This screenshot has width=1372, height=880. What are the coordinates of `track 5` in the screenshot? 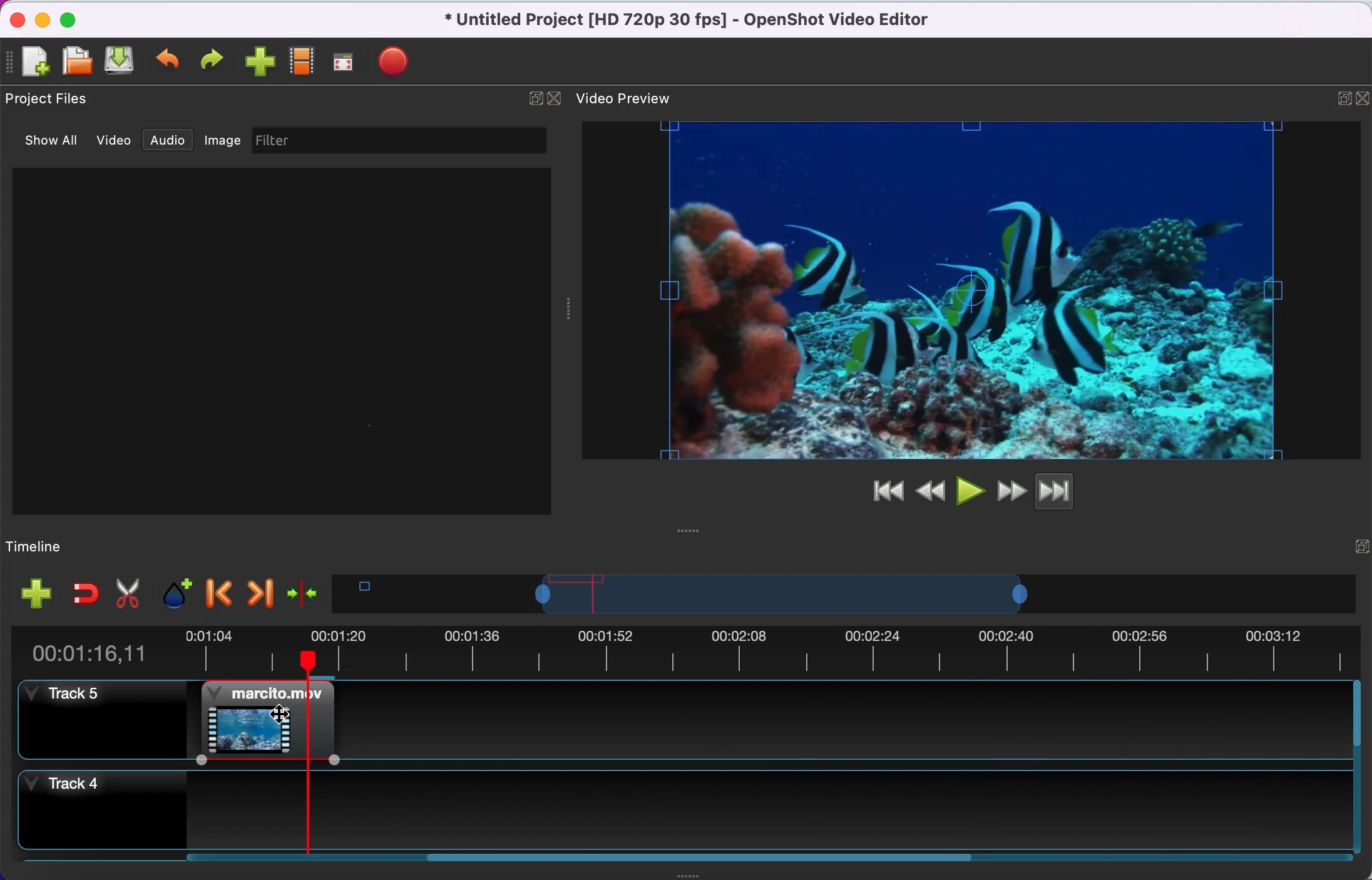 It's located at (687, 719).